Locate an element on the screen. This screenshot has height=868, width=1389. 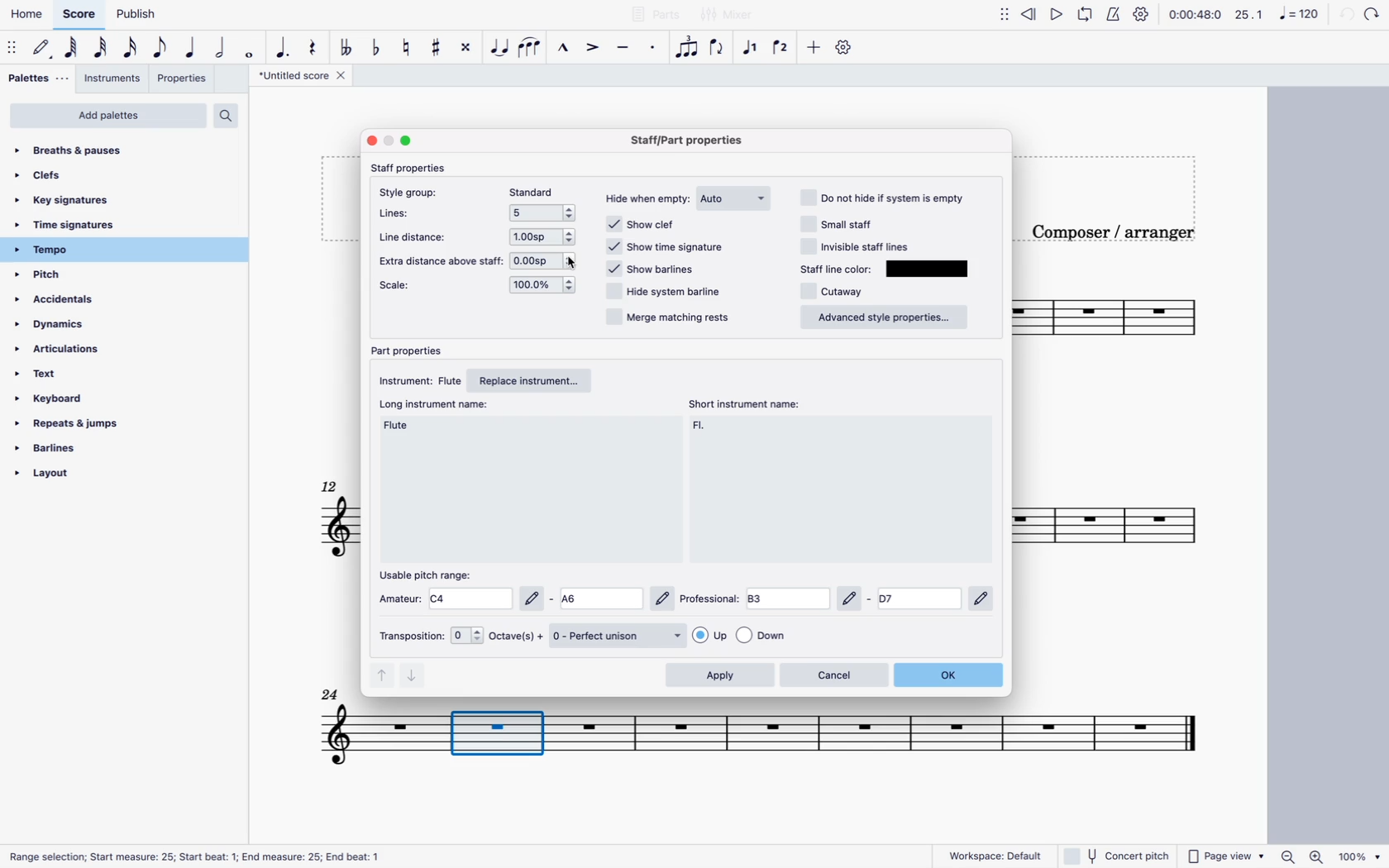
augmentation dot is located at coordinates (283, 48).